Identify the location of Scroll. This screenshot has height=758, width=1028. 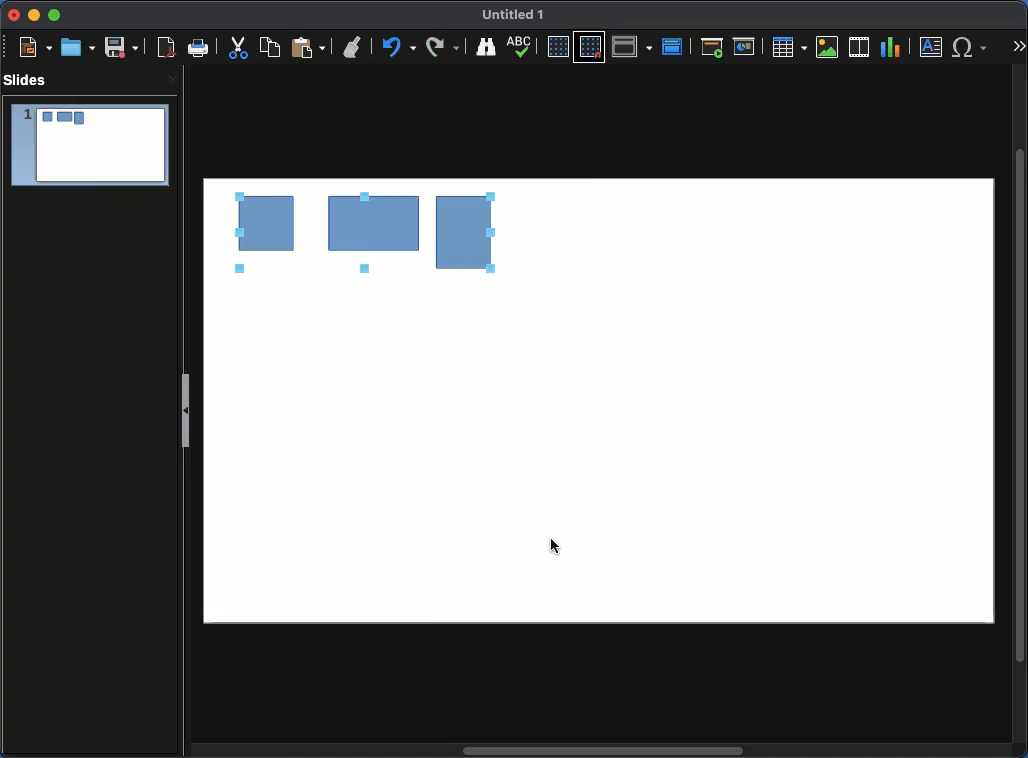
(1022, 404).